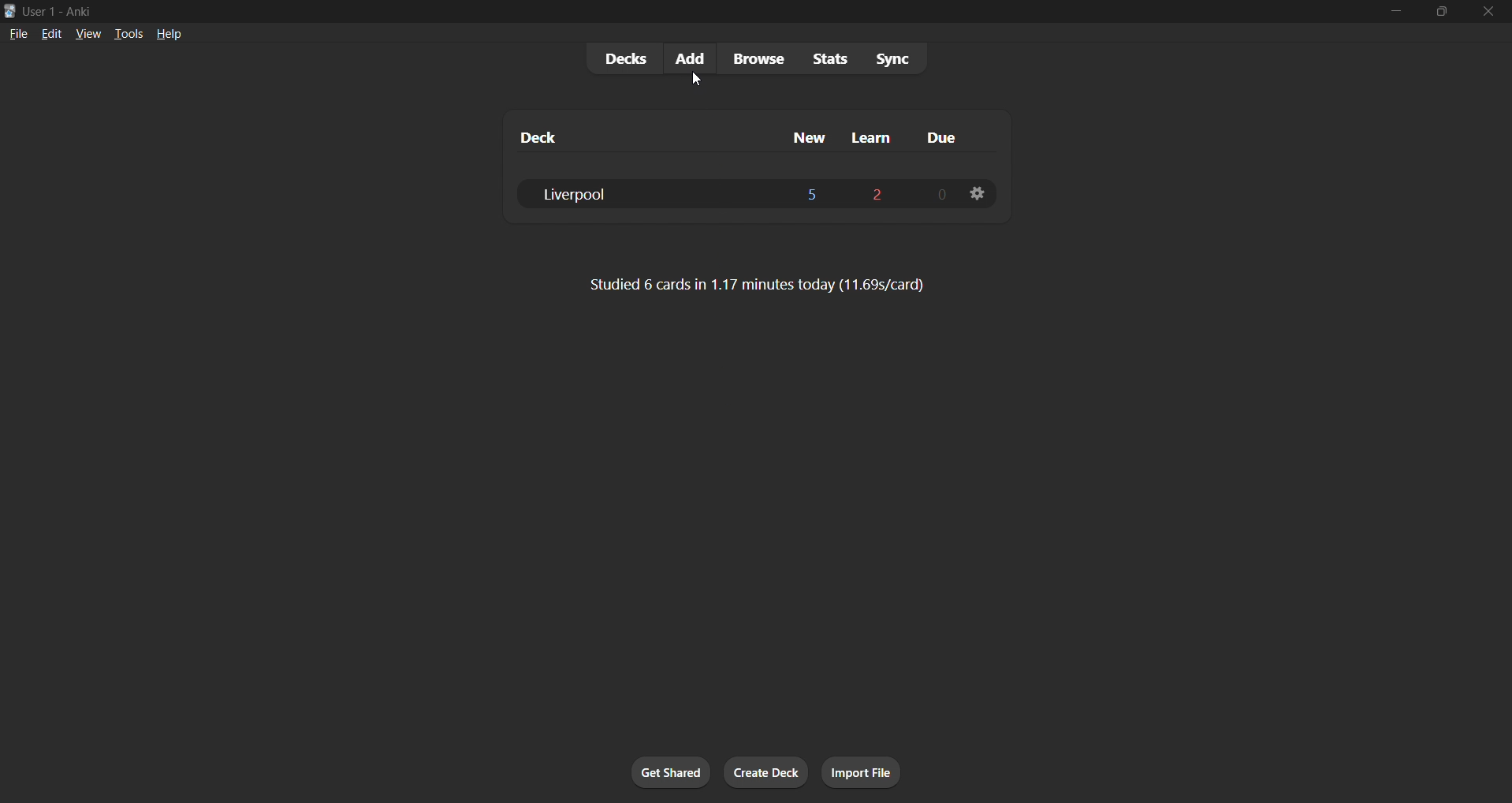  I want to click on due cards column, so click(941, 136).